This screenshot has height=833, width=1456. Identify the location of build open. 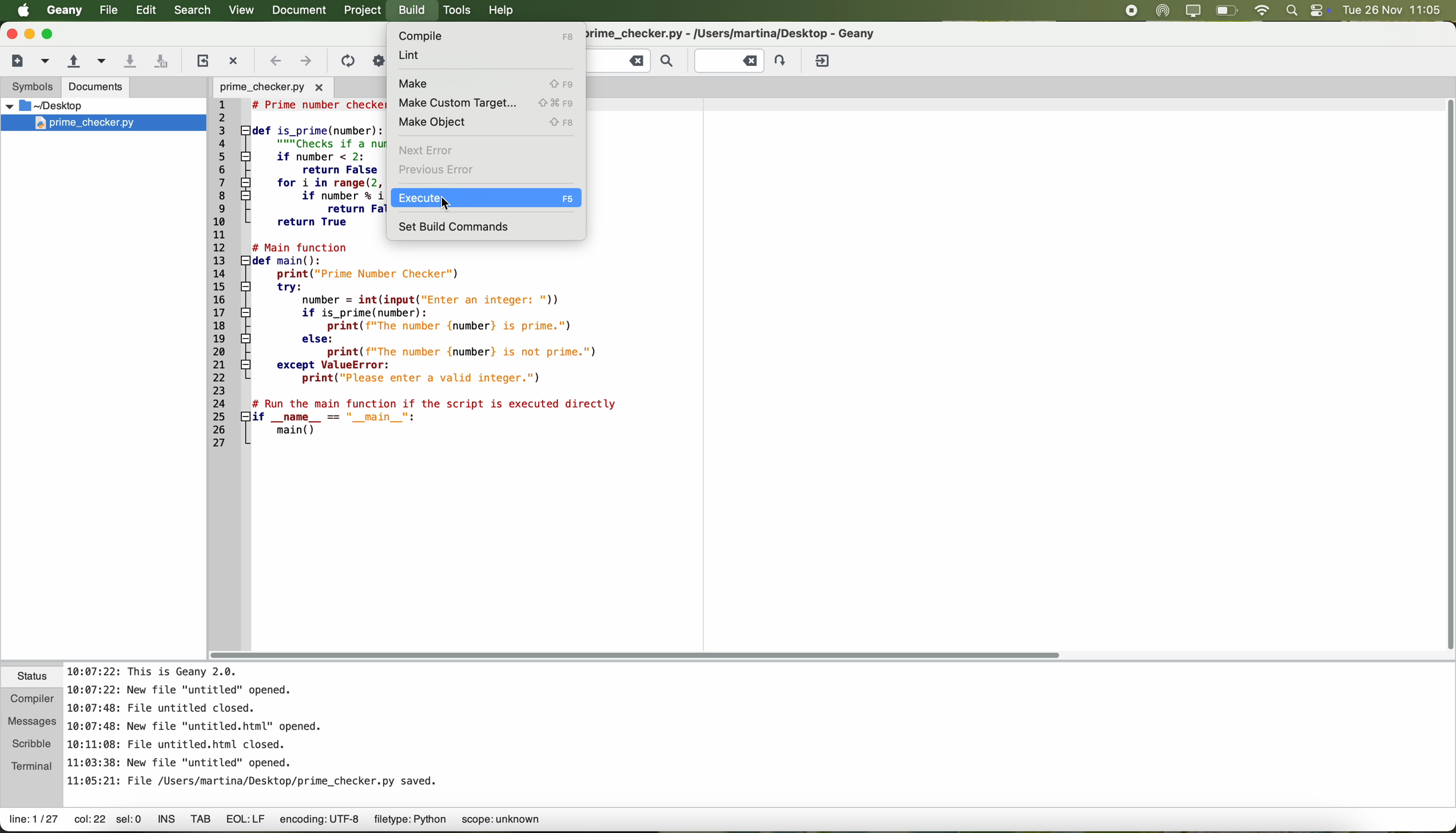
(413, 11).